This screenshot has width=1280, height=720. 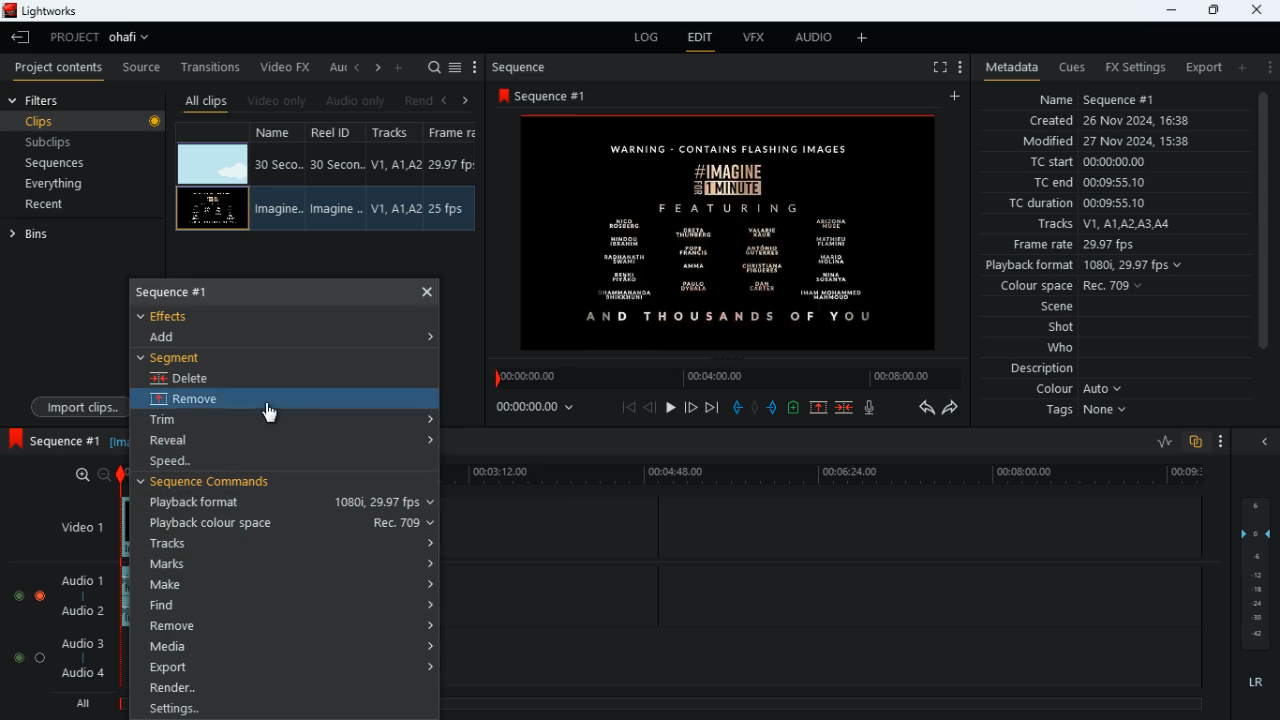 I want to click on layers, so click(x=1254, y=573).